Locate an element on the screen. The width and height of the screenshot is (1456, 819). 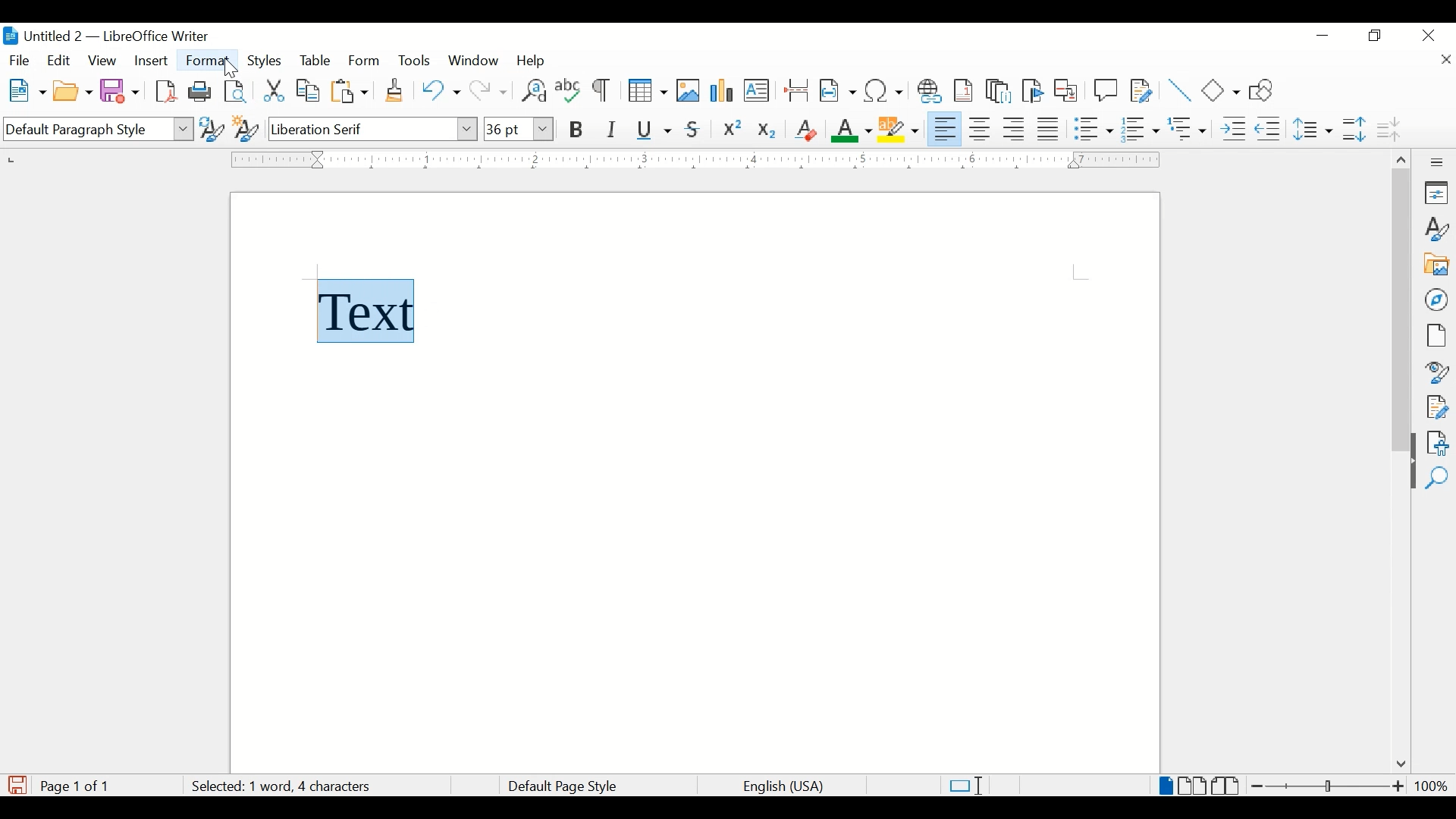
scroll down arrow is located at coordinates (1398, 765).